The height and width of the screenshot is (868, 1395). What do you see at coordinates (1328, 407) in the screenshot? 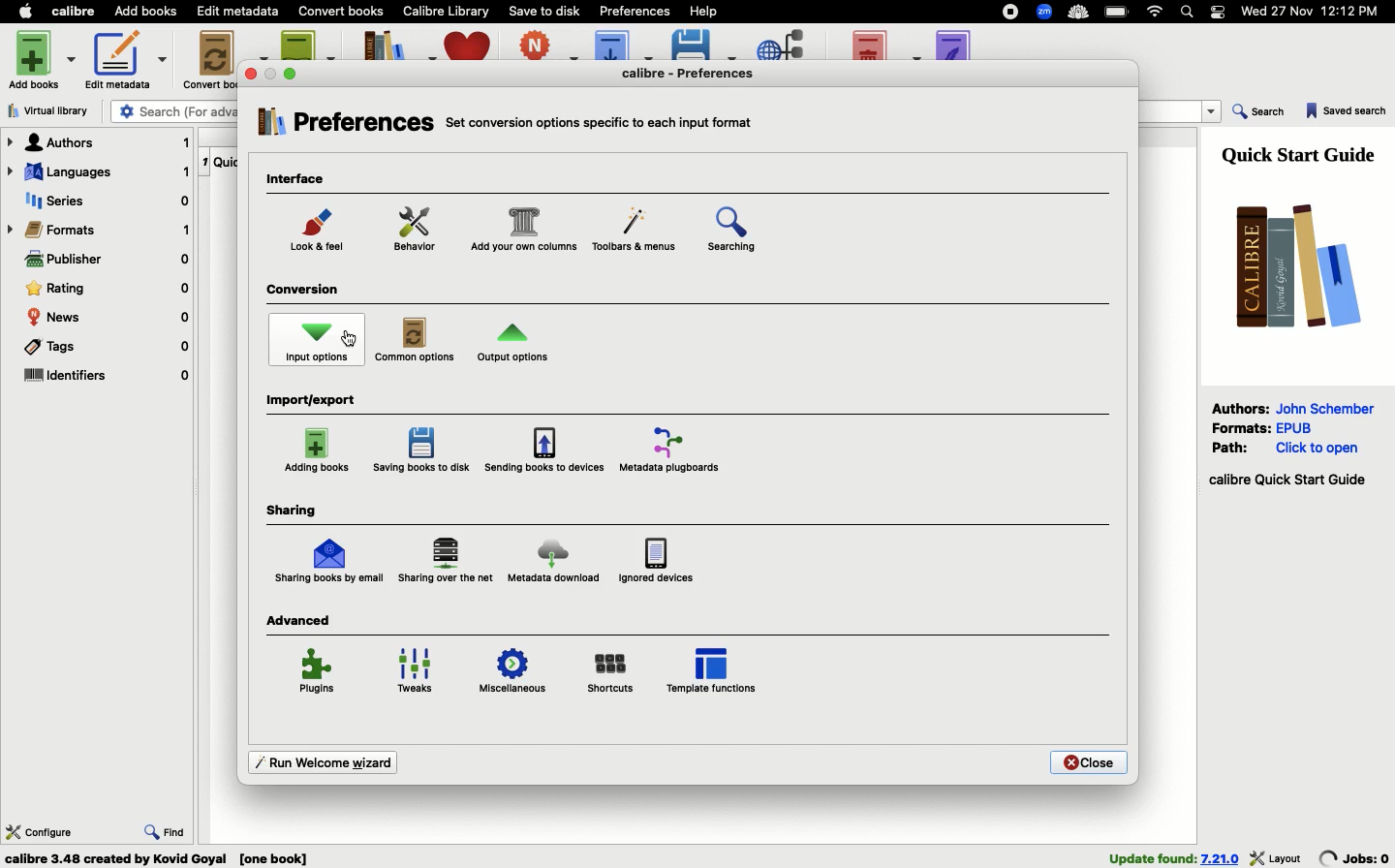
I see `John Schember` at bounding box center [1328, 407].